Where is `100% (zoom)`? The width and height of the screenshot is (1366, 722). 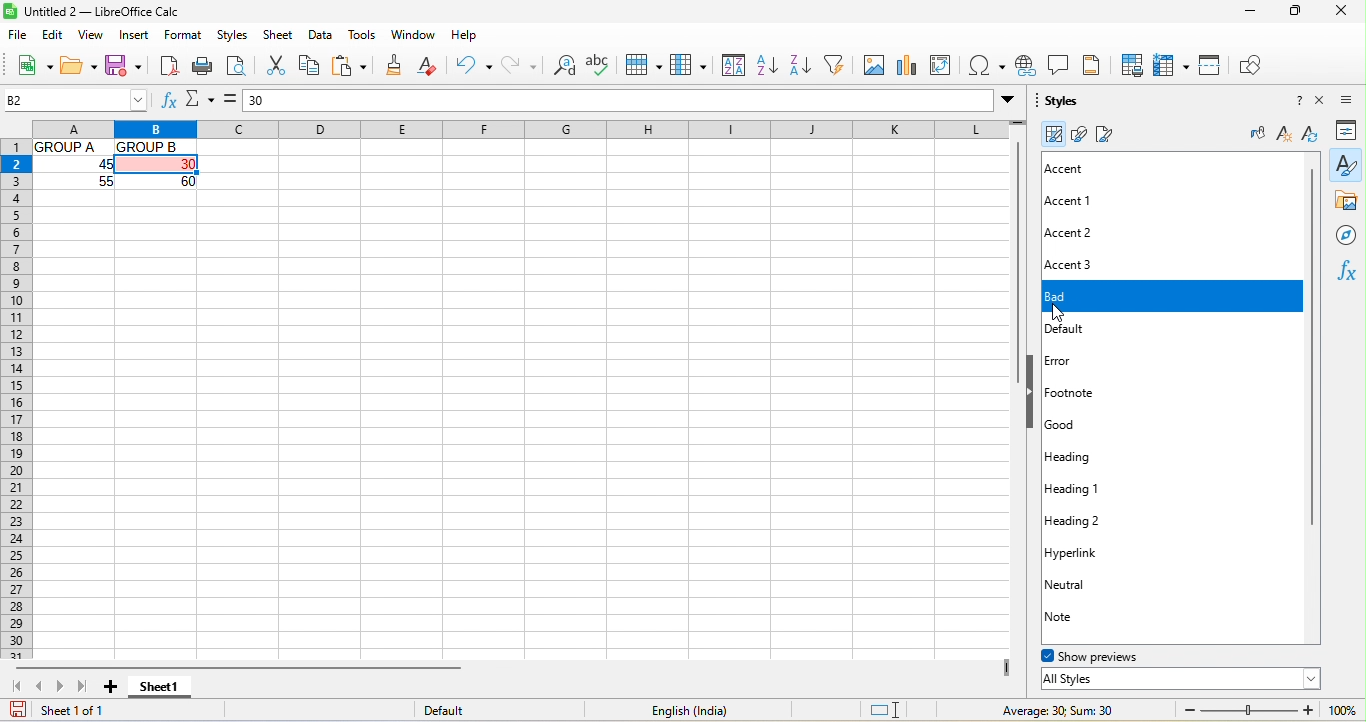 100% (zoom) is located at coordinates (1342, 710).